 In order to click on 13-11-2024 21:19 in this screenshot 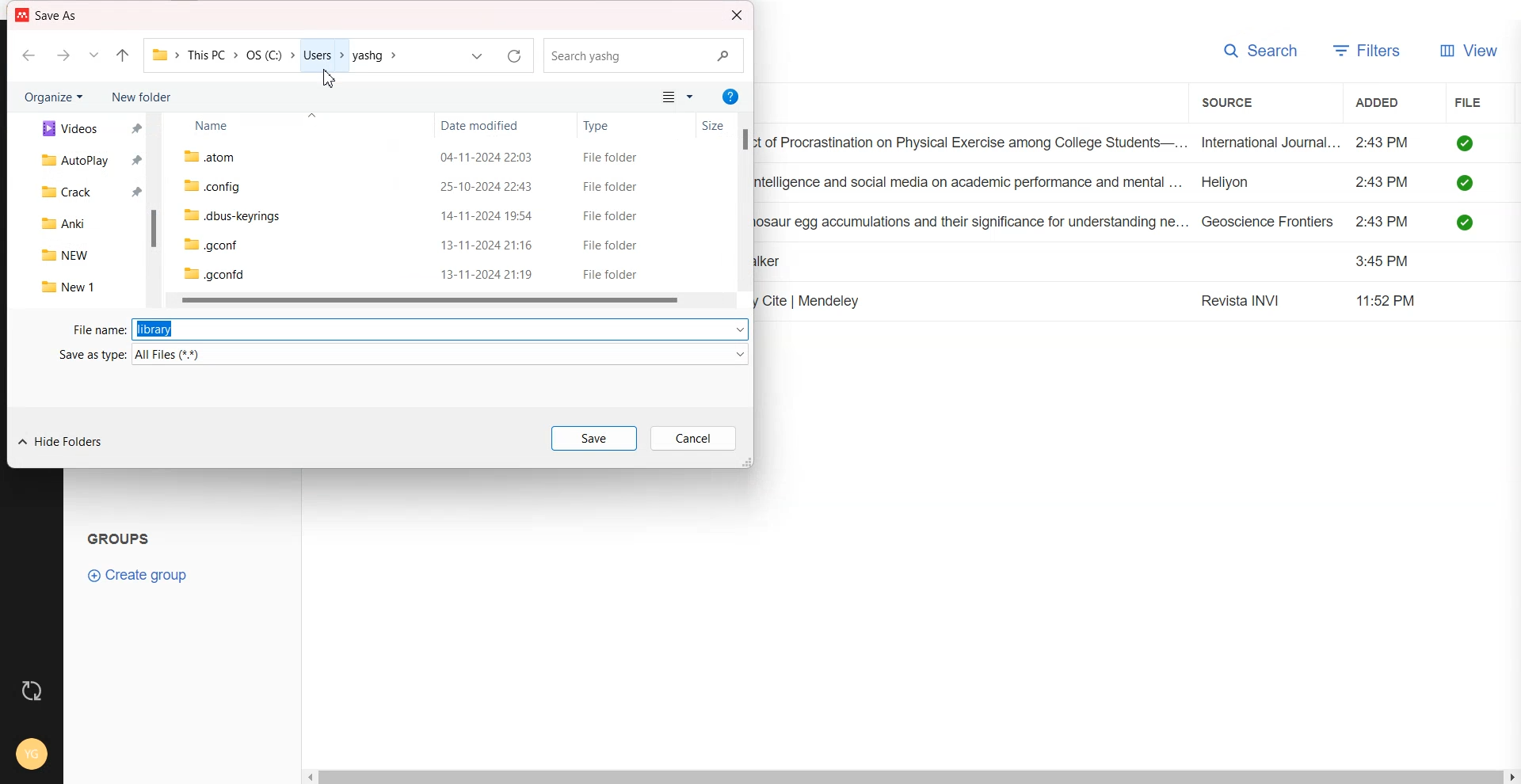, I will do `click(490, 274)`.